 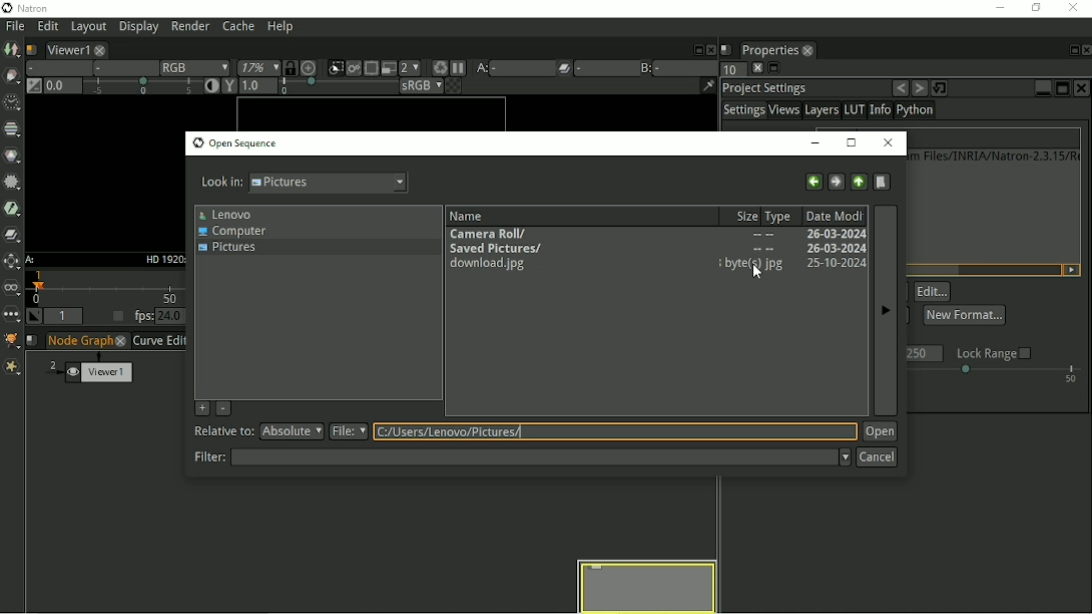 What do you see at coordinates (73, 48) in the screenshot?
I see `Viewer1` at bounding box center [73, 48].